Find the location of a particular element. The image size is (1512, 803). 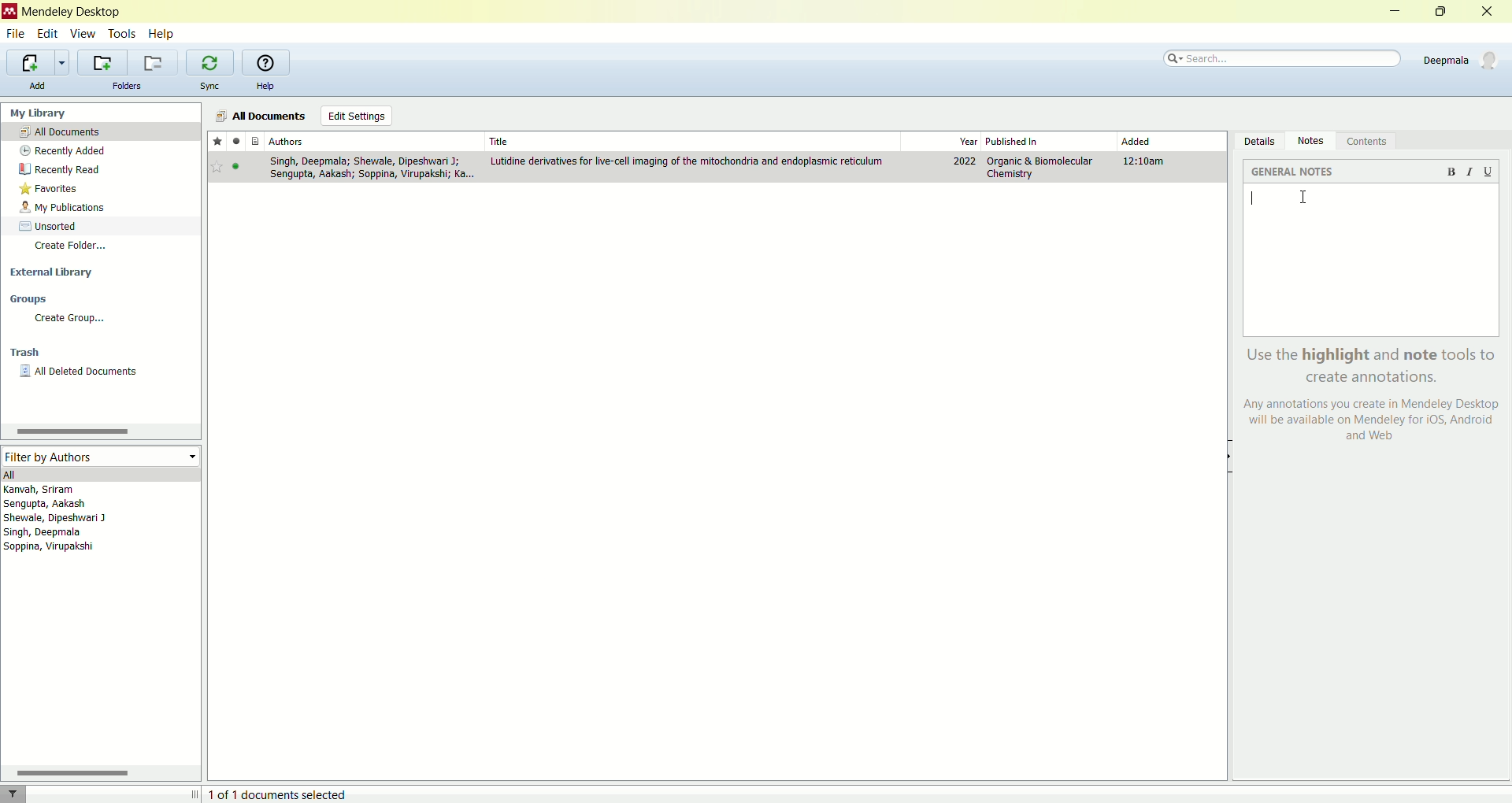

help is located at coordinates (265, 86).